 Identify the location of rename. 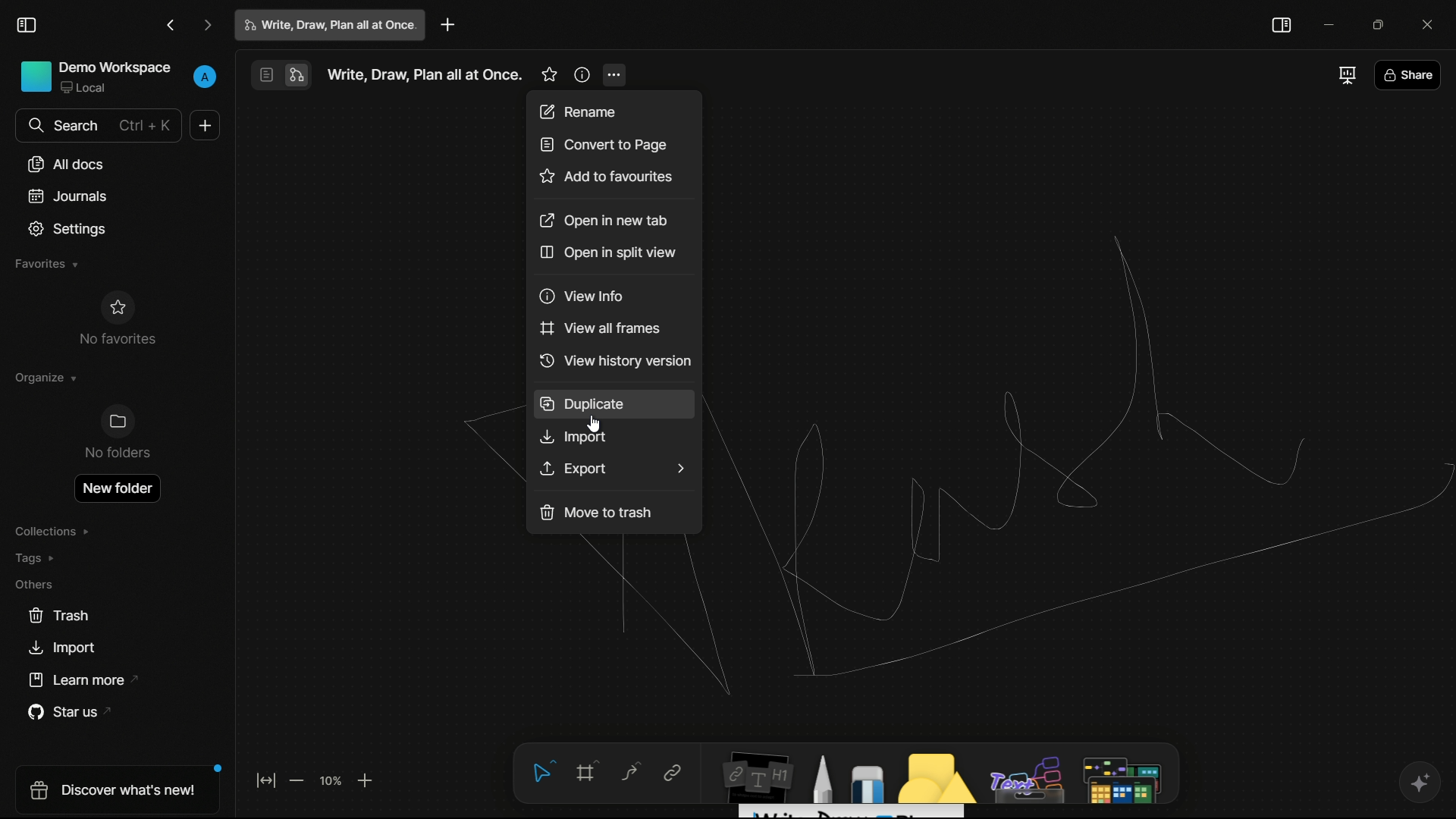
(579, 111).